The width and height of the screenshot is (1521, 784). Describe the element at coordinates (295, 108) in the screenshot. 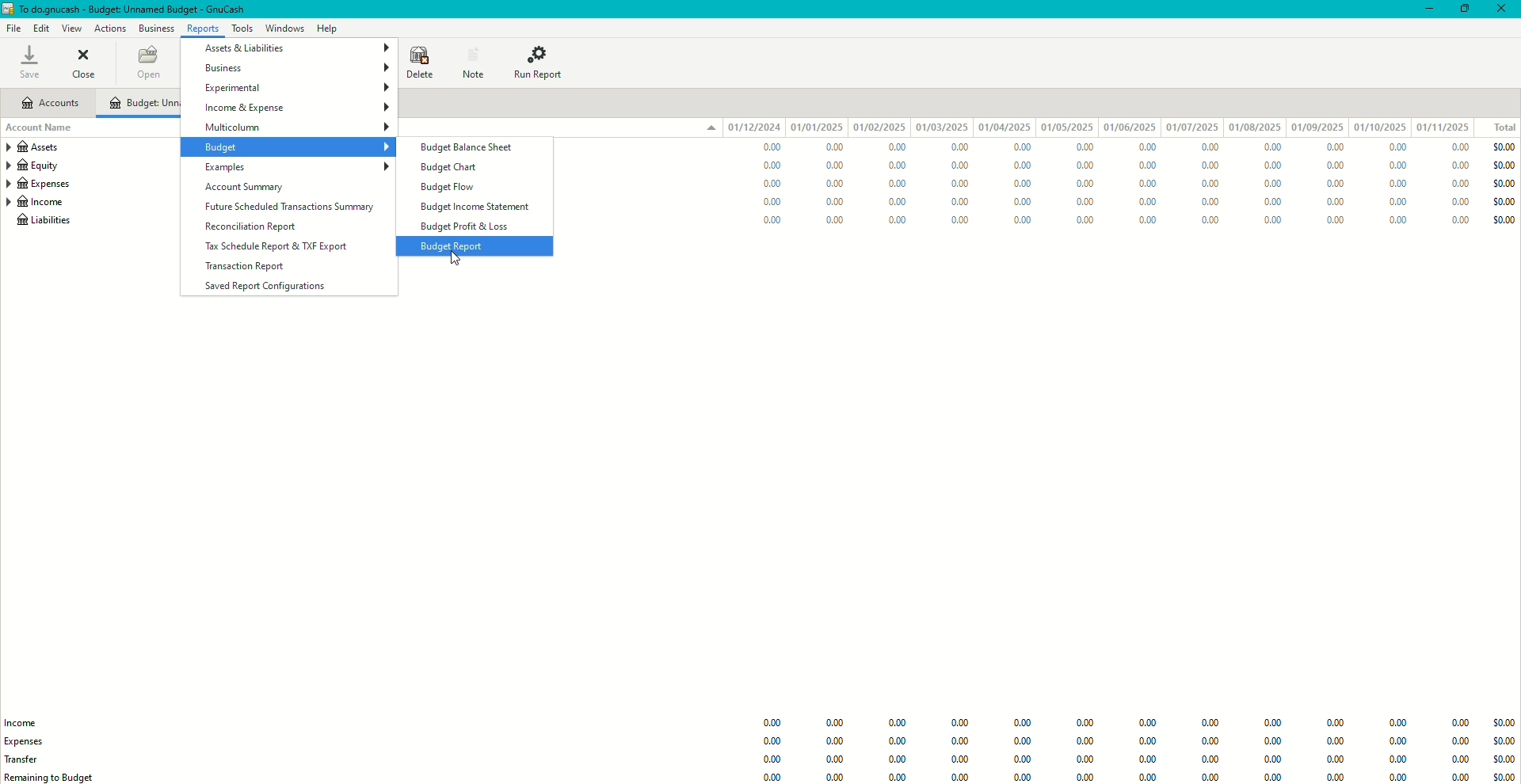

I see `Income and Expense` at that location.